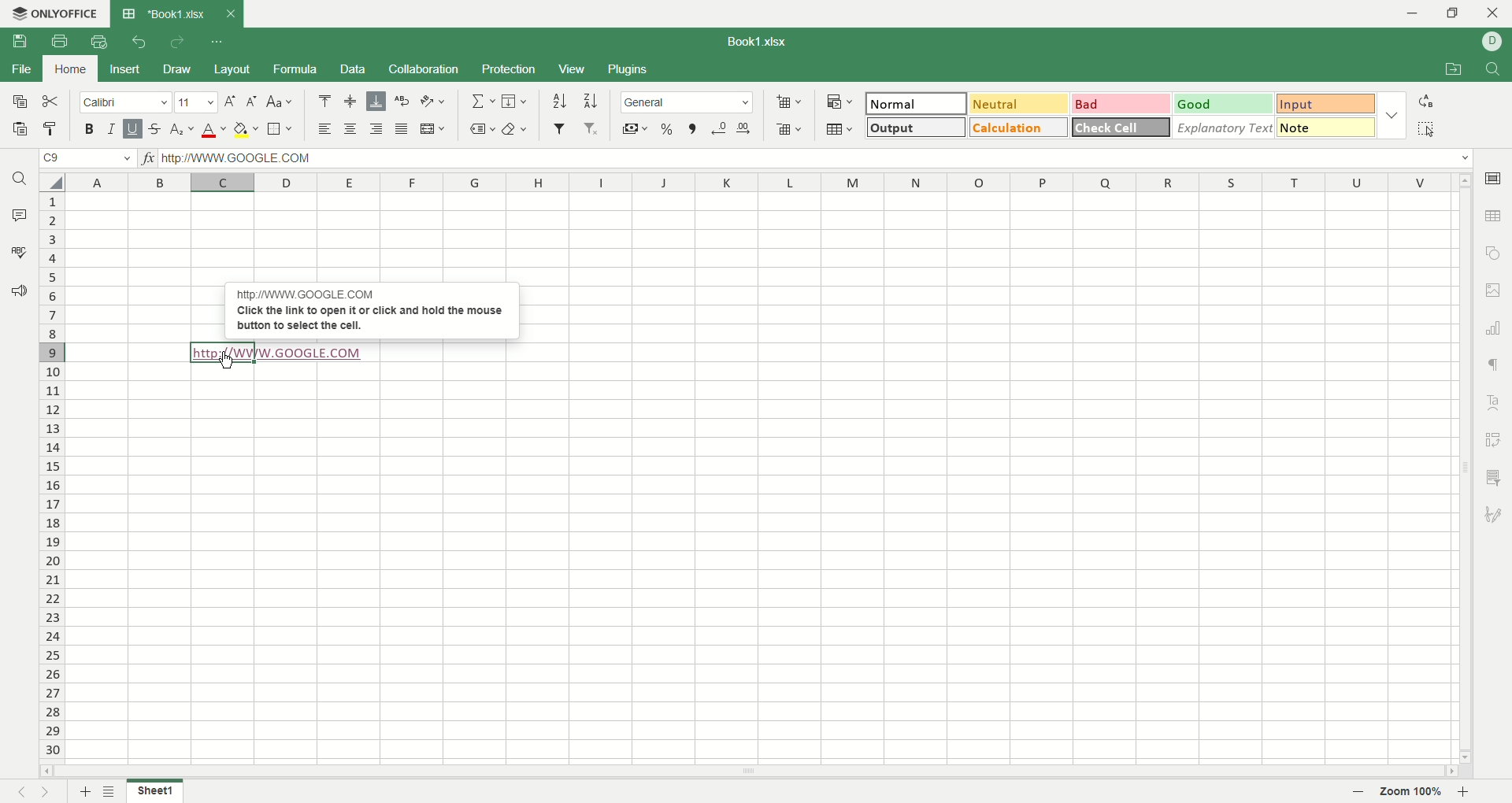  What do you see at coordinates (1019, 128) in the screenshot?
I see `calculation` at bounding box center [1019, 128].